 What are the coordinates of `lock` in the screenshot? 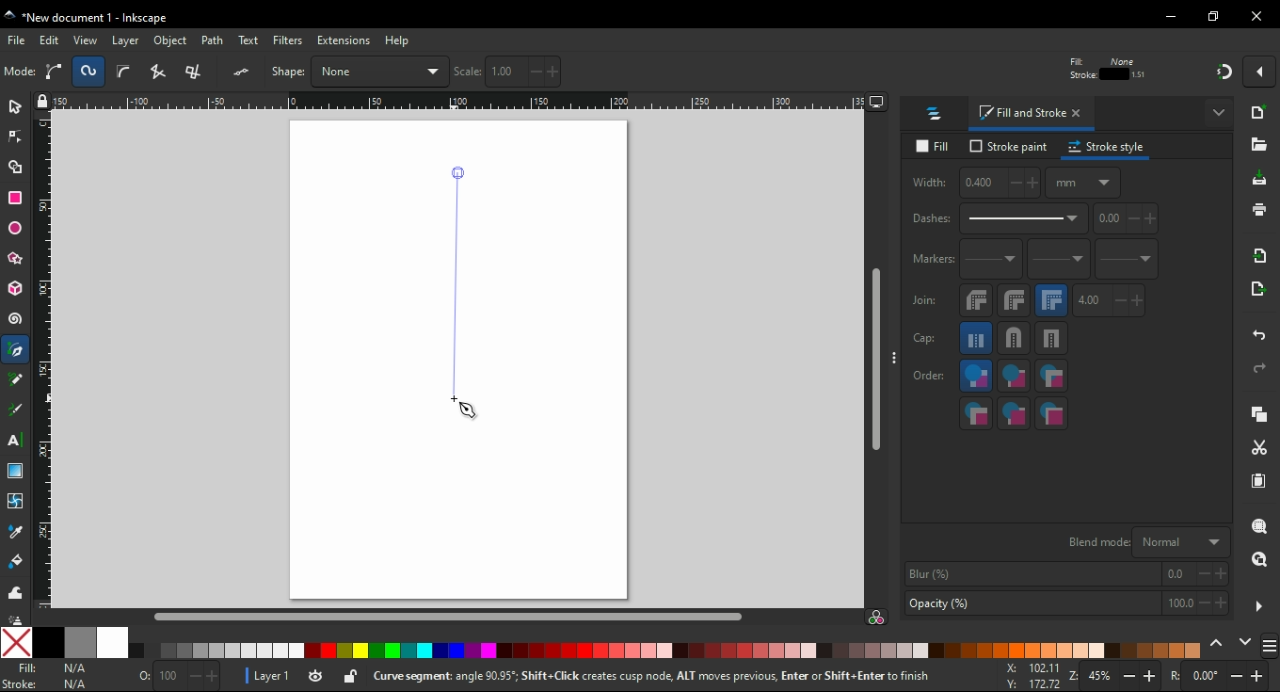 It's located at (844, 72).